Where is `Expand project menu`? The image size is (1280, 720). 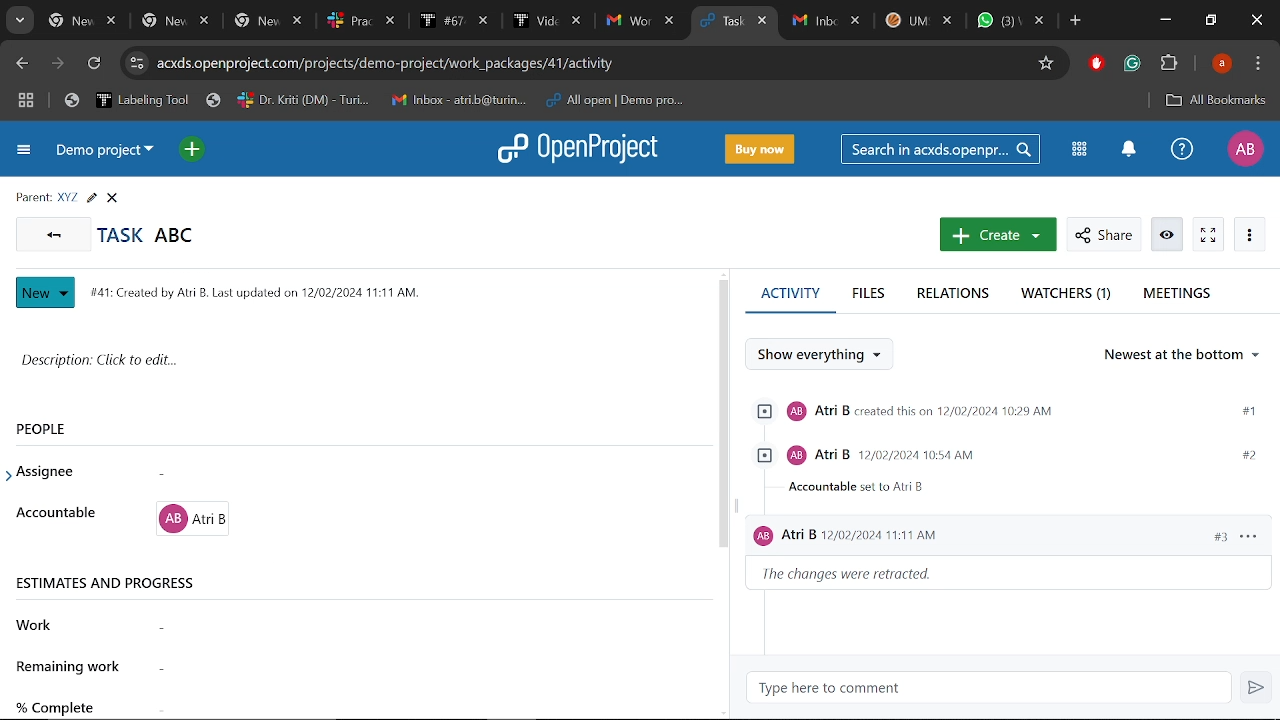 Expand project menu is located at coordinates (25, 150).